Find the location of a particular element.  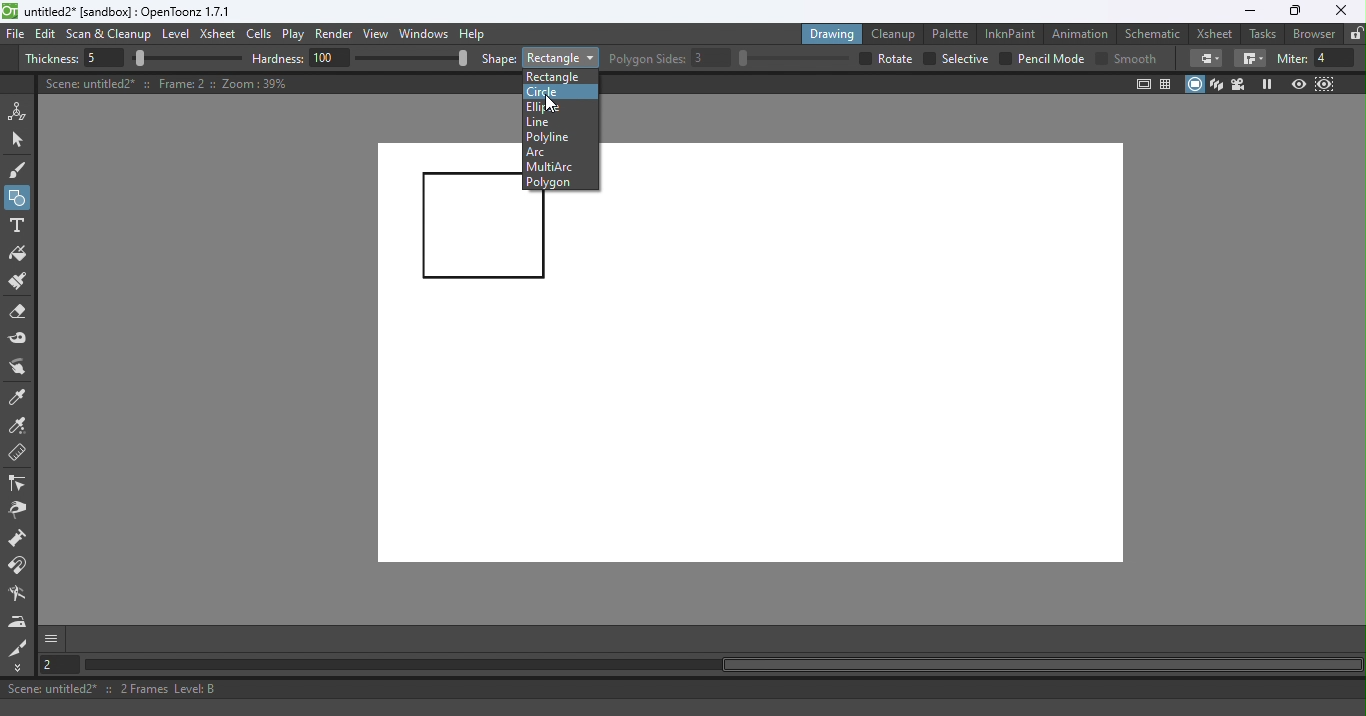

Polygon slides is located at coordinates (647, 59).